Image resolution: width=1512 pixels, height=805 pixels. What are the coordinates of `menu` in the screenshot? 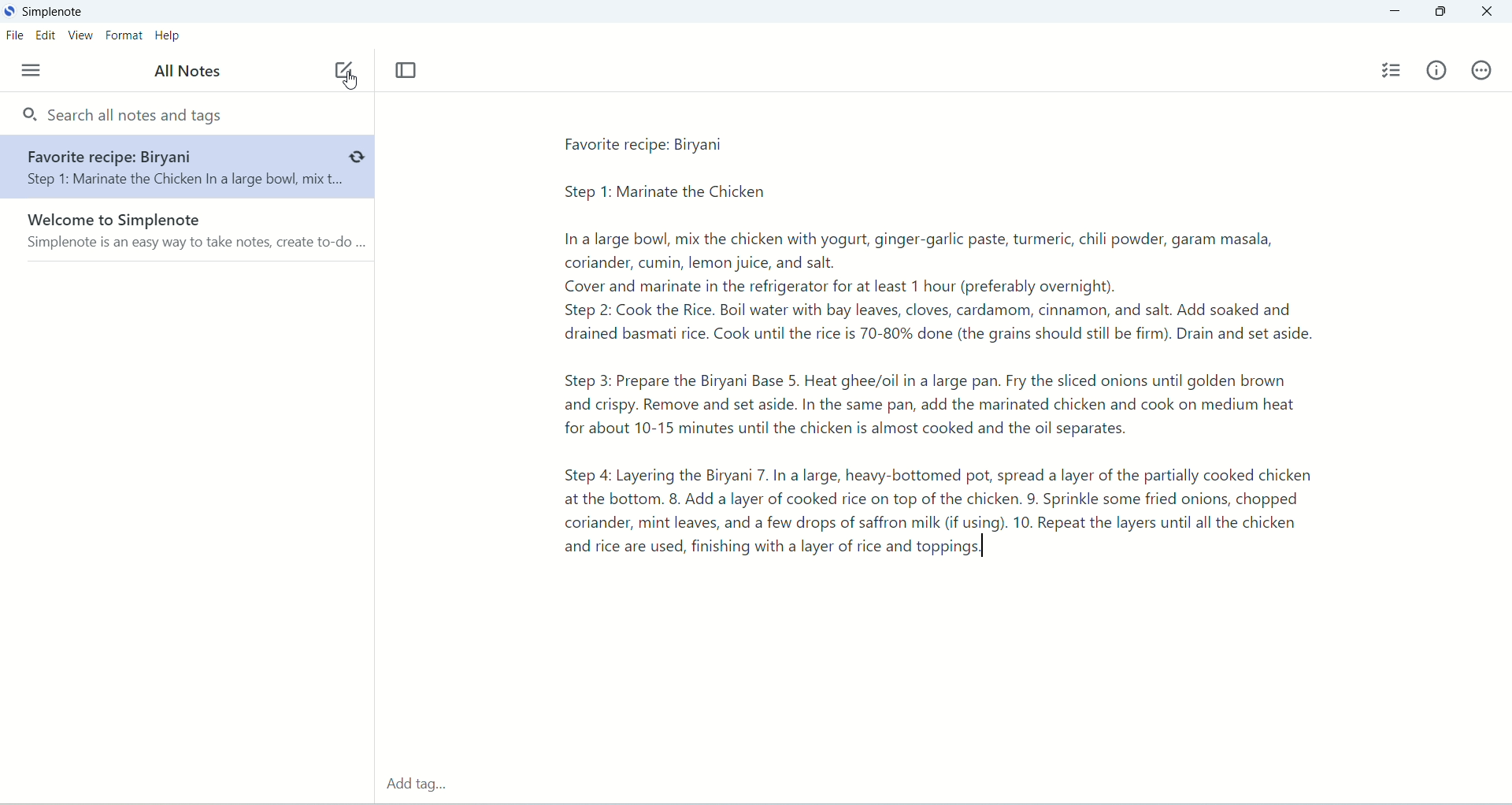 It's located at (27, 70).